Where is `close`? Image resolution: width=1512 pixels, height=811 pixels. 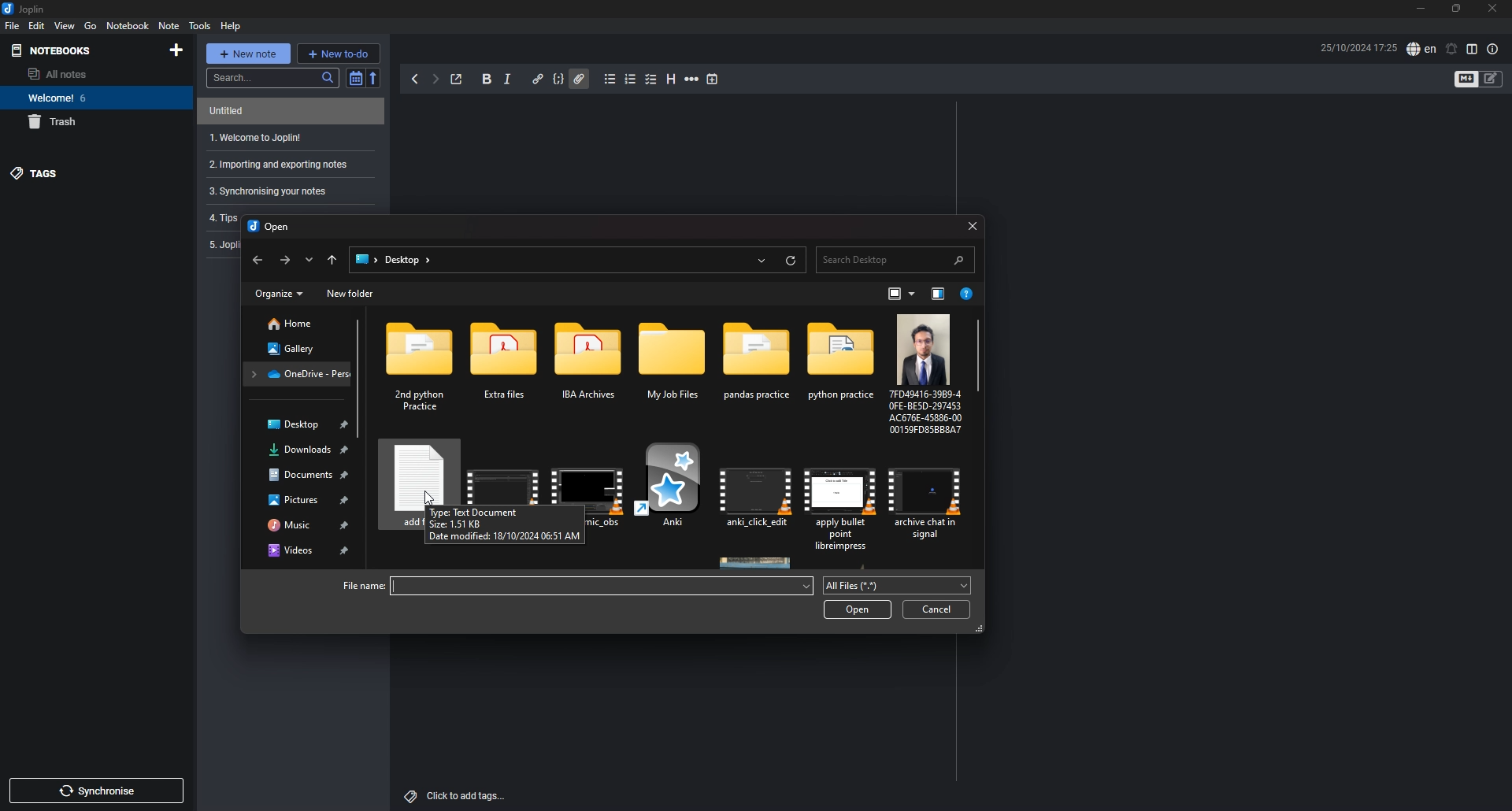 close is located at coordinates (973, 223).